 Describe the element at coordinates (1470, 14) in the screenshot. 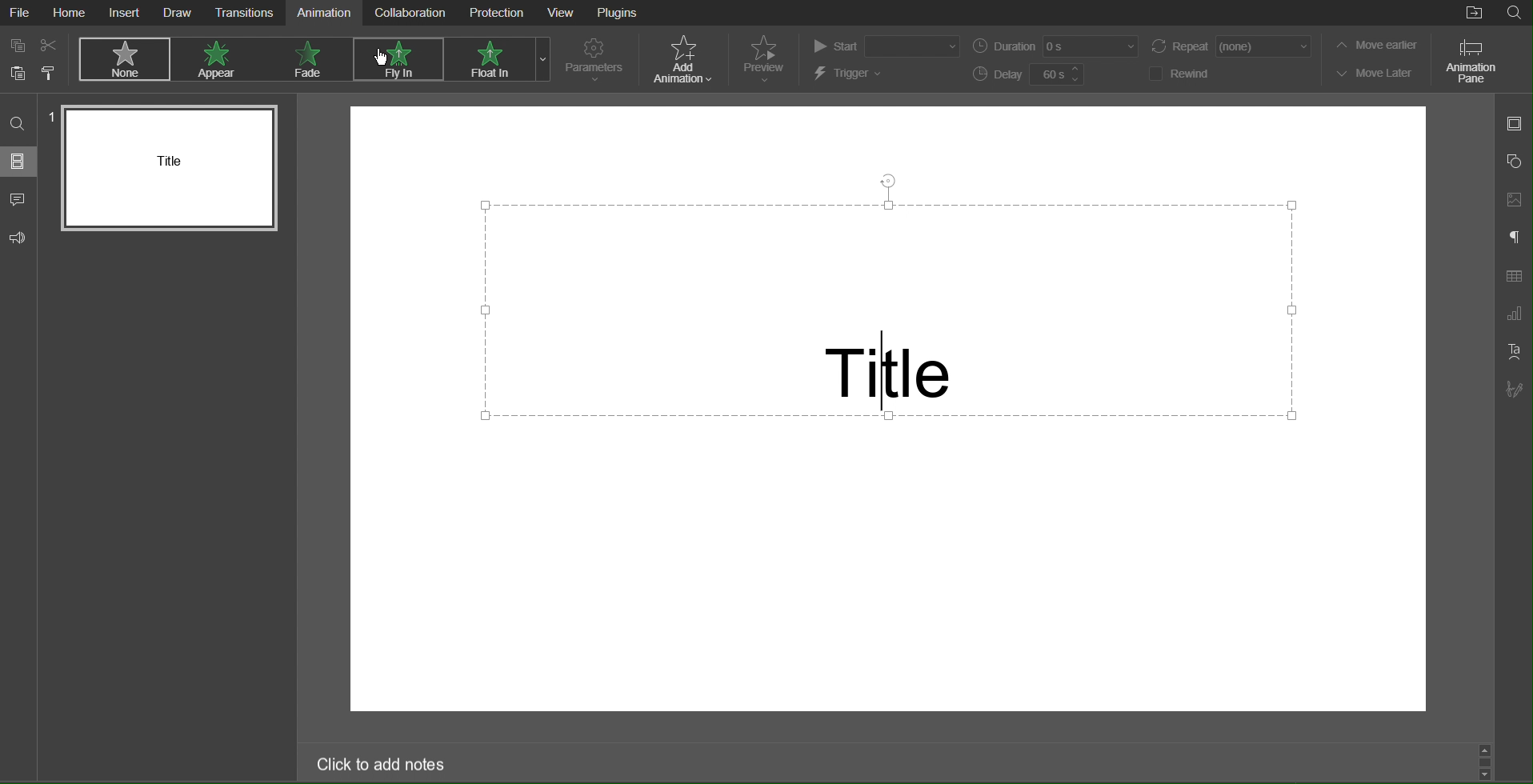

I see `Open File Location` at that location.